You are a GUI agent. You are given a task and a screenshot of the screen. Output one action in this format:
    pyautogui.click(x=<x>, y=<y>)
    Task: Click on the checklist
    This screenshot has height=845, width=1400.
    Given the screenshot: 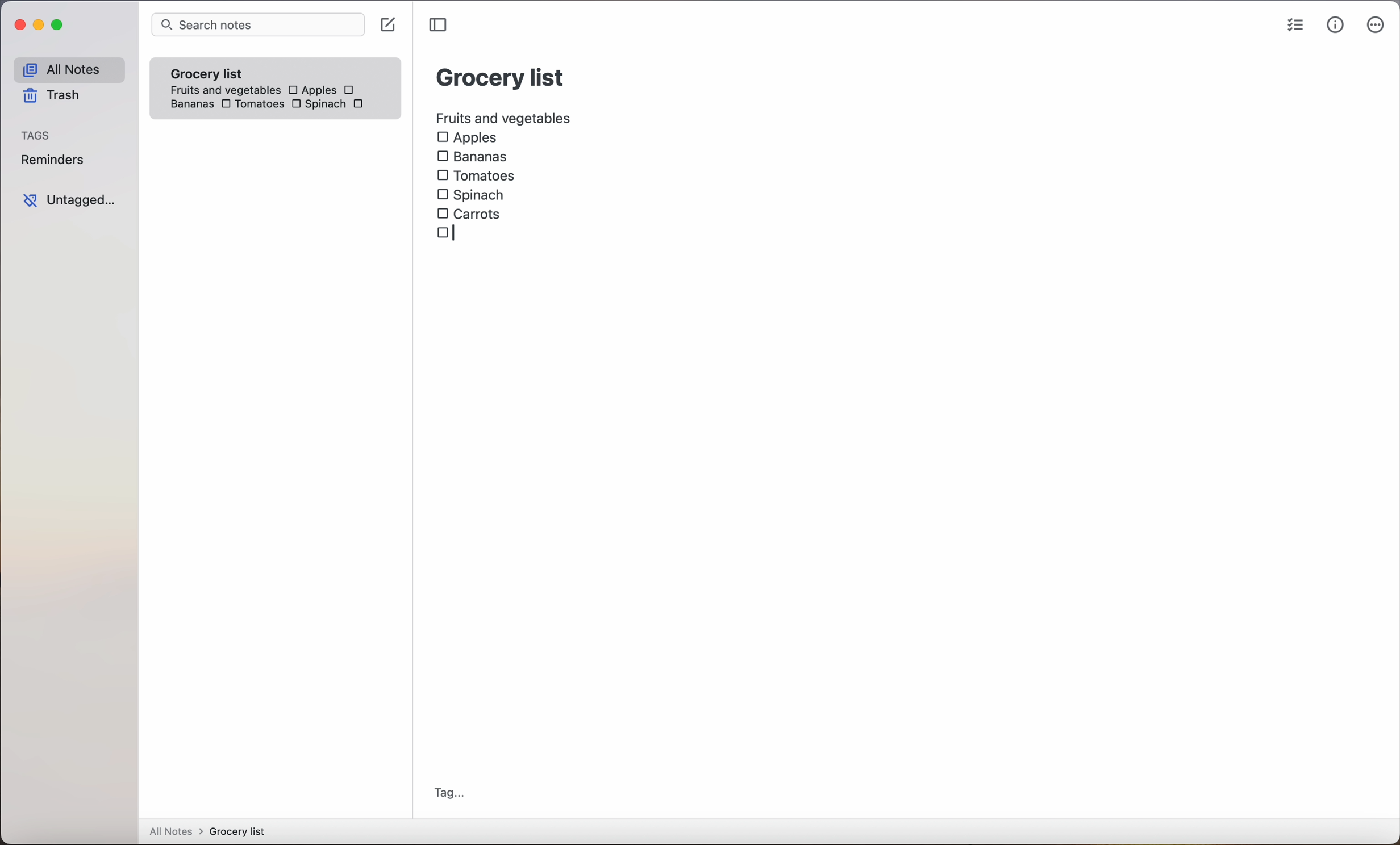 What is the action you would take?
    pyautogui.click(x=1293, y=27)
    